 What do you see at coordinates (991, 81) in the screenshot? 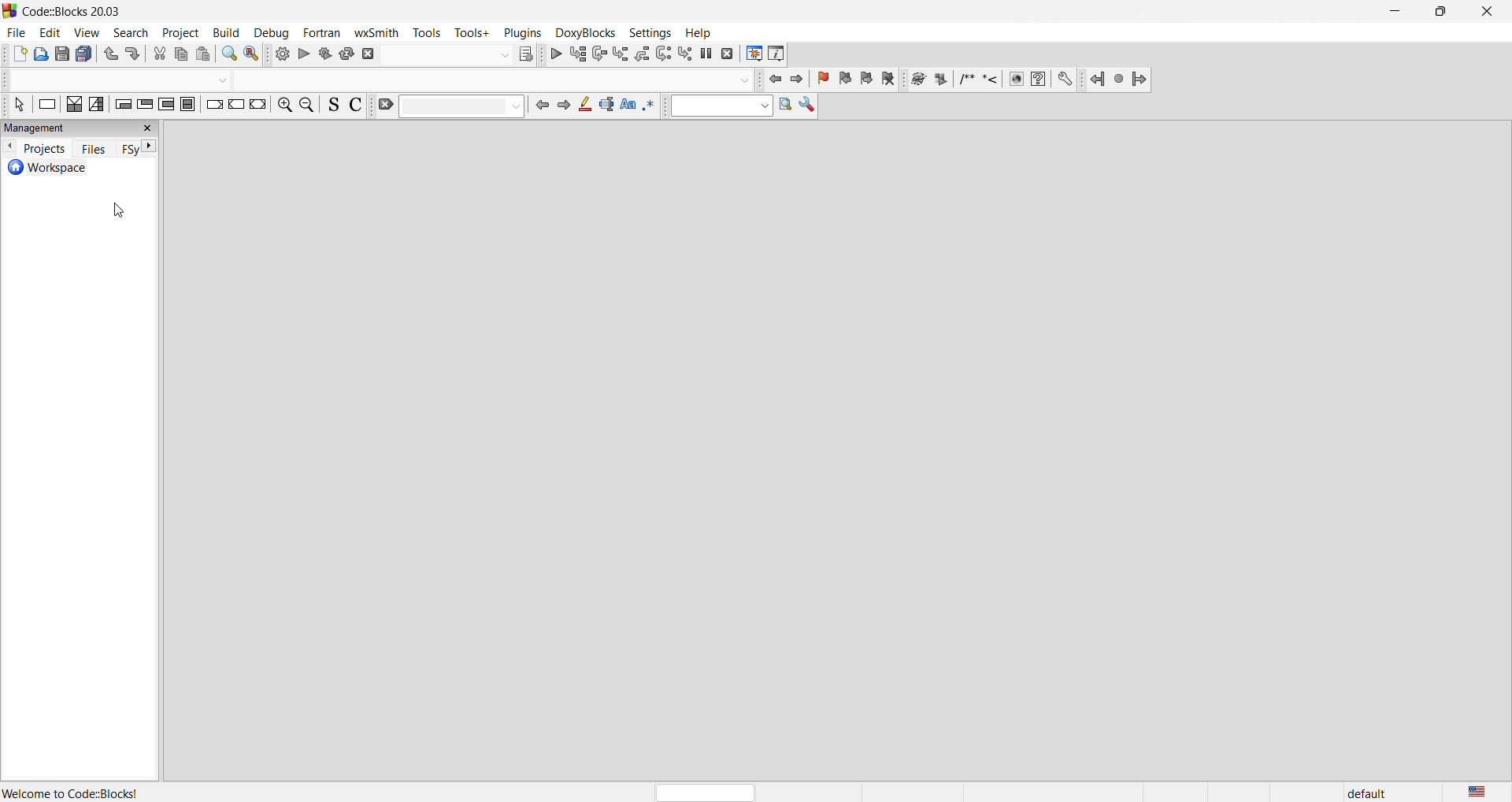
I see `Insert line` at bounding box center [991, 81].